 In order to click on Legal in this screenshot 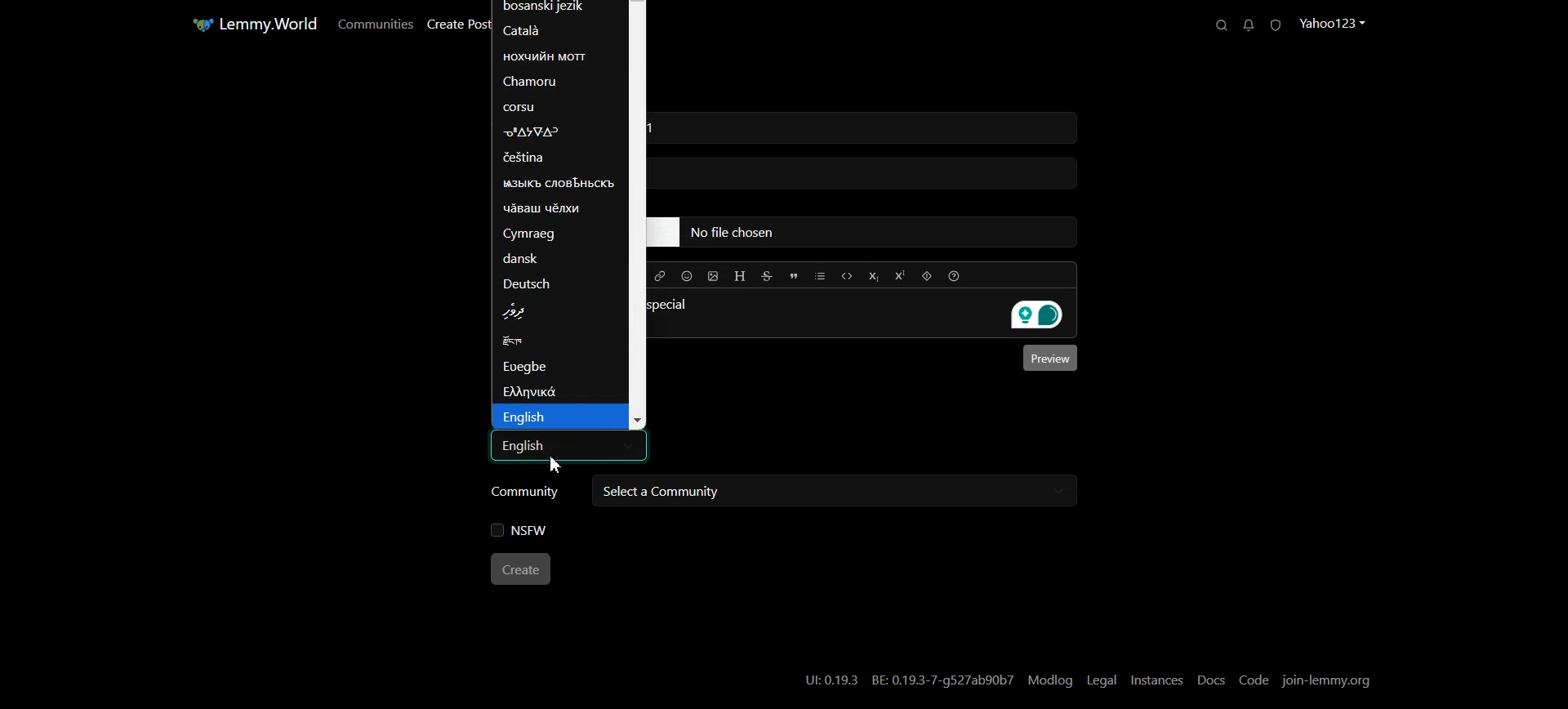, I will do `click(1101, 680)`.